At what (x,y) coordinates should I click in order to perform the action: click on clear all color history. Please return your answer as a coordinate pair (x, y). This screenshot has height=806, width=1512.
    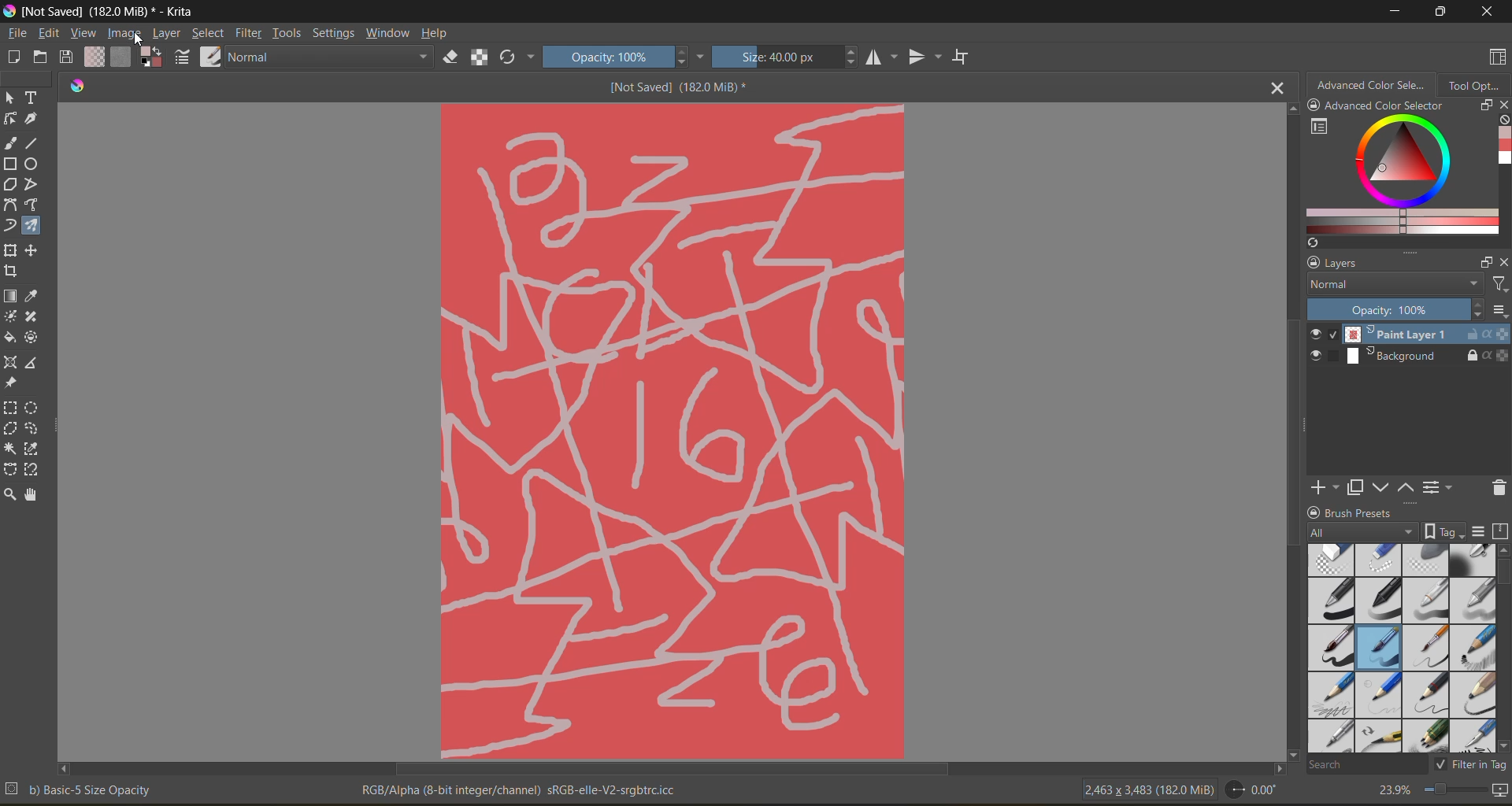
    Looking at the image, I should click on (1503, 122).